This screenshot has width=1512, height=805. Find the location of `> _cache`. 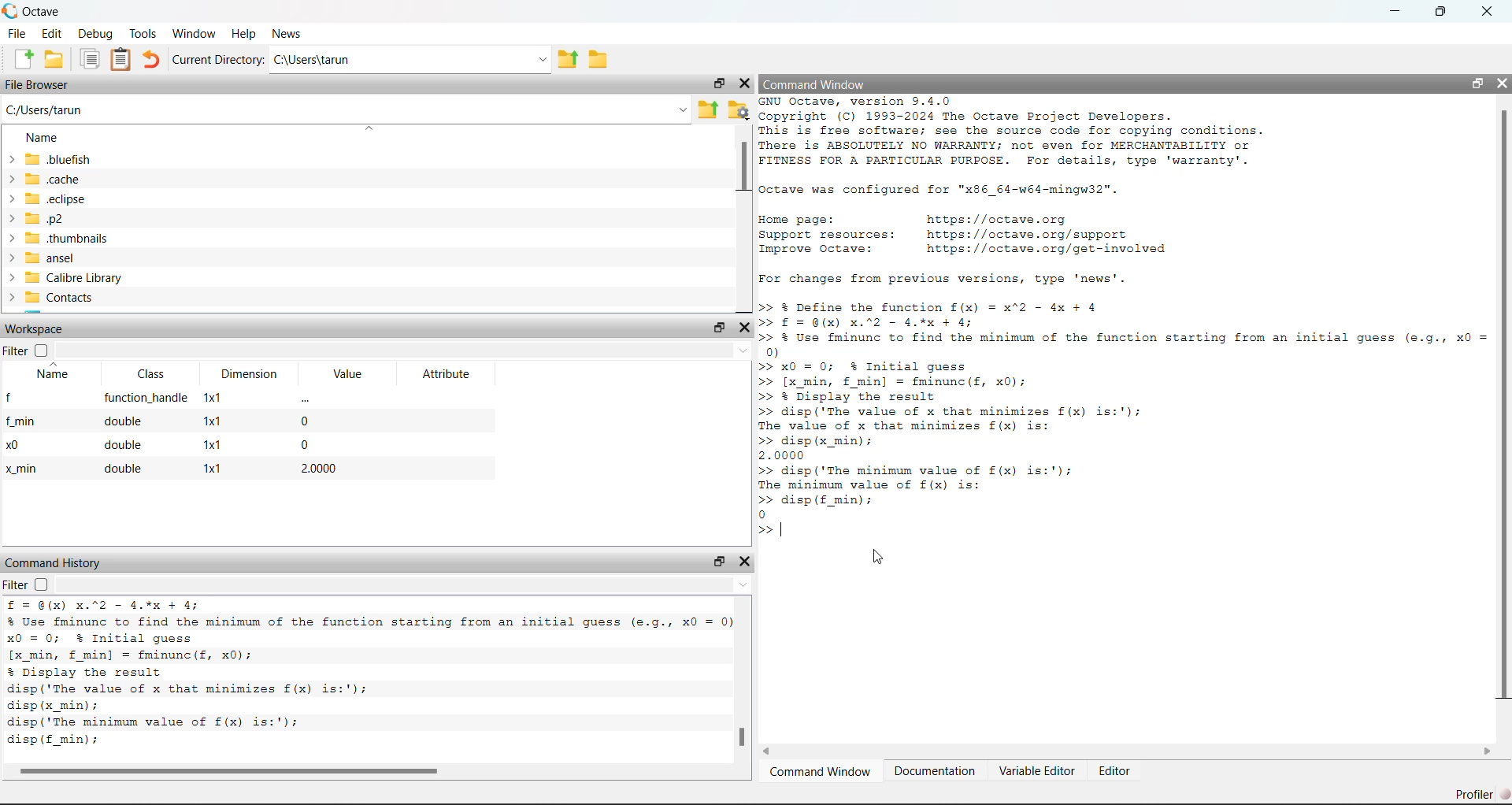

> _cache is located at coordinates (47, 180).